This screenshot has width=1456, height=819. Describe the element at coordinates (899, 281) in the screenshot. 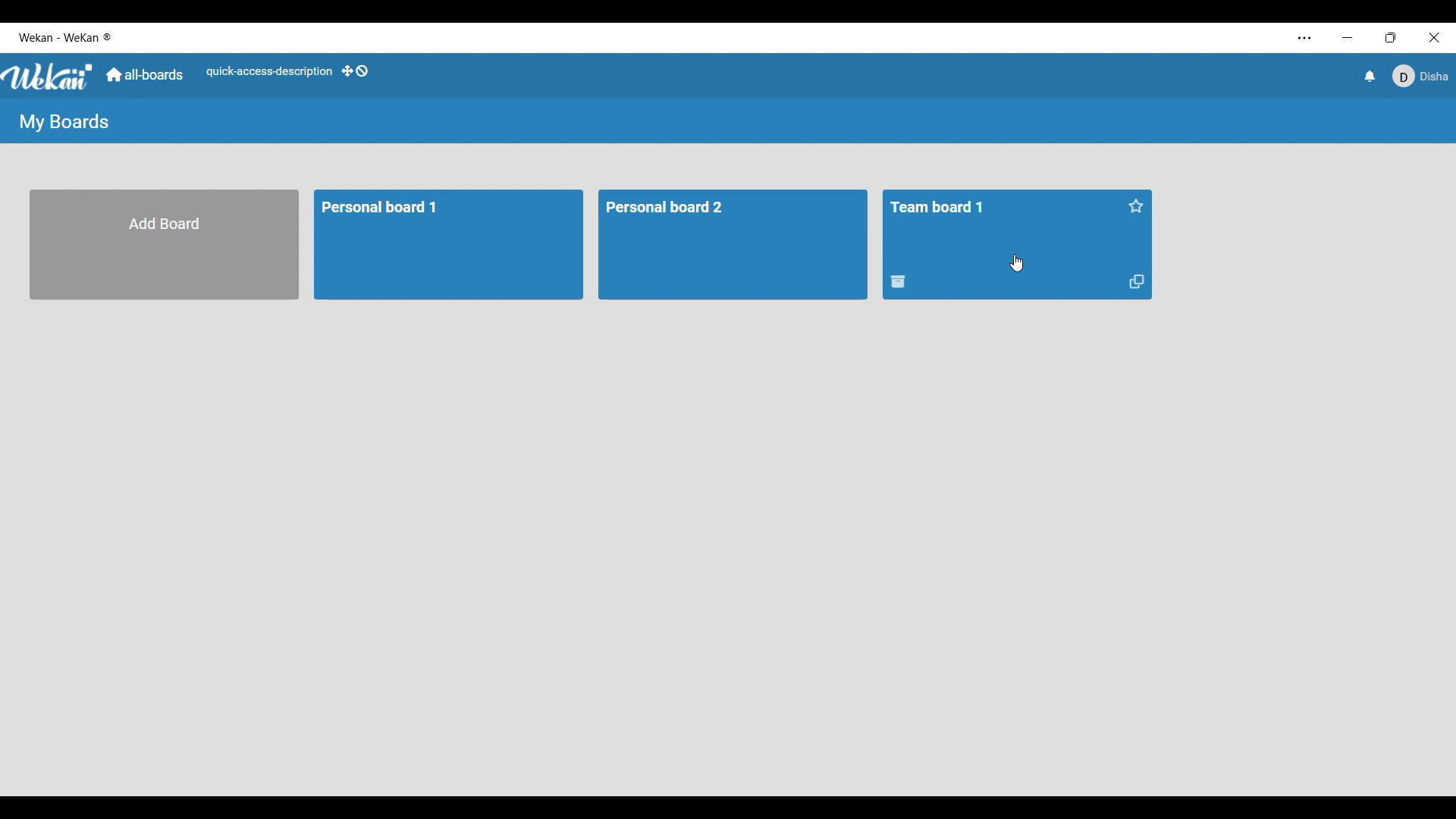

I see `Delete board` at that location.